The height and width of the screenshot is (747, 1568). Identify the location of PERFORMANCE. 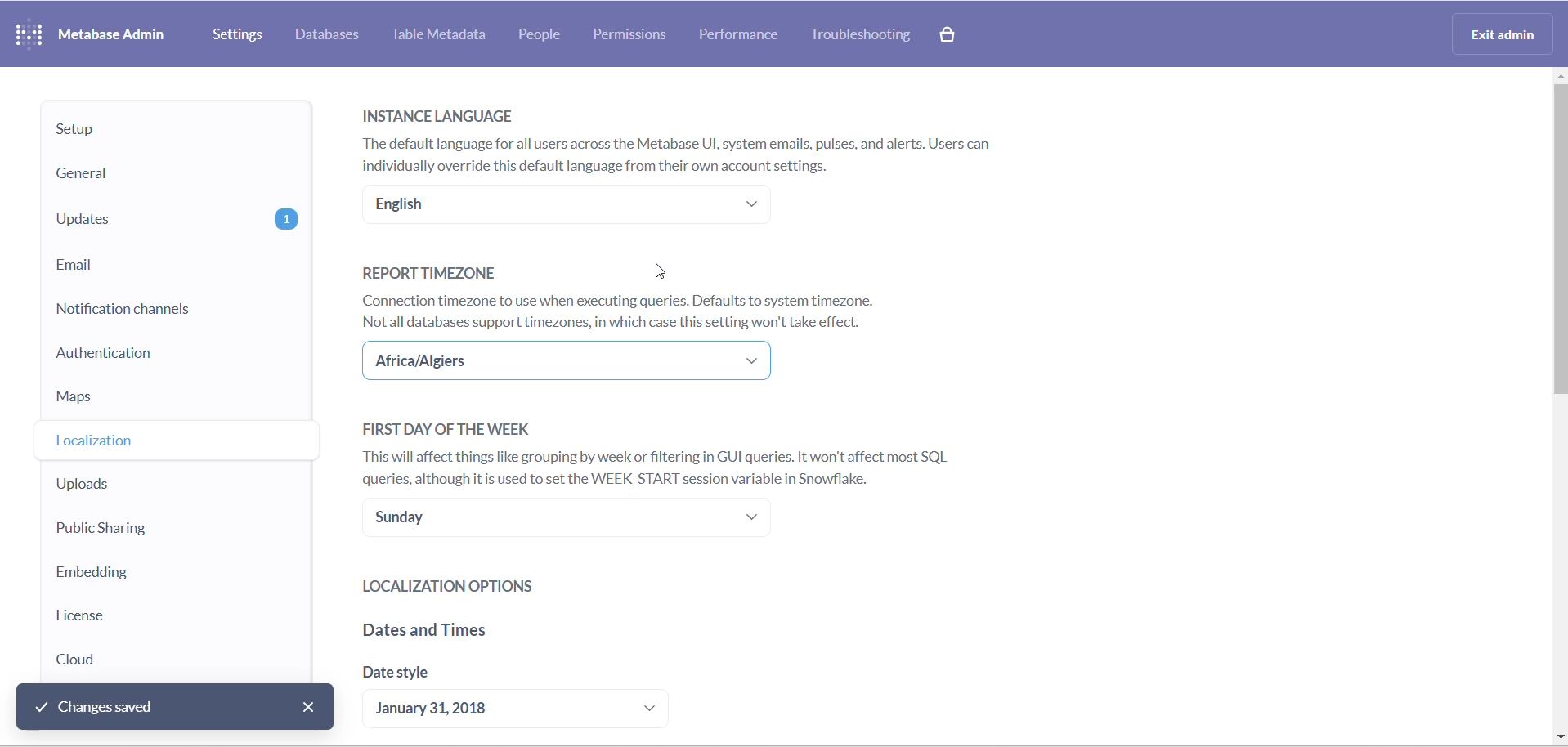
(746, 34).